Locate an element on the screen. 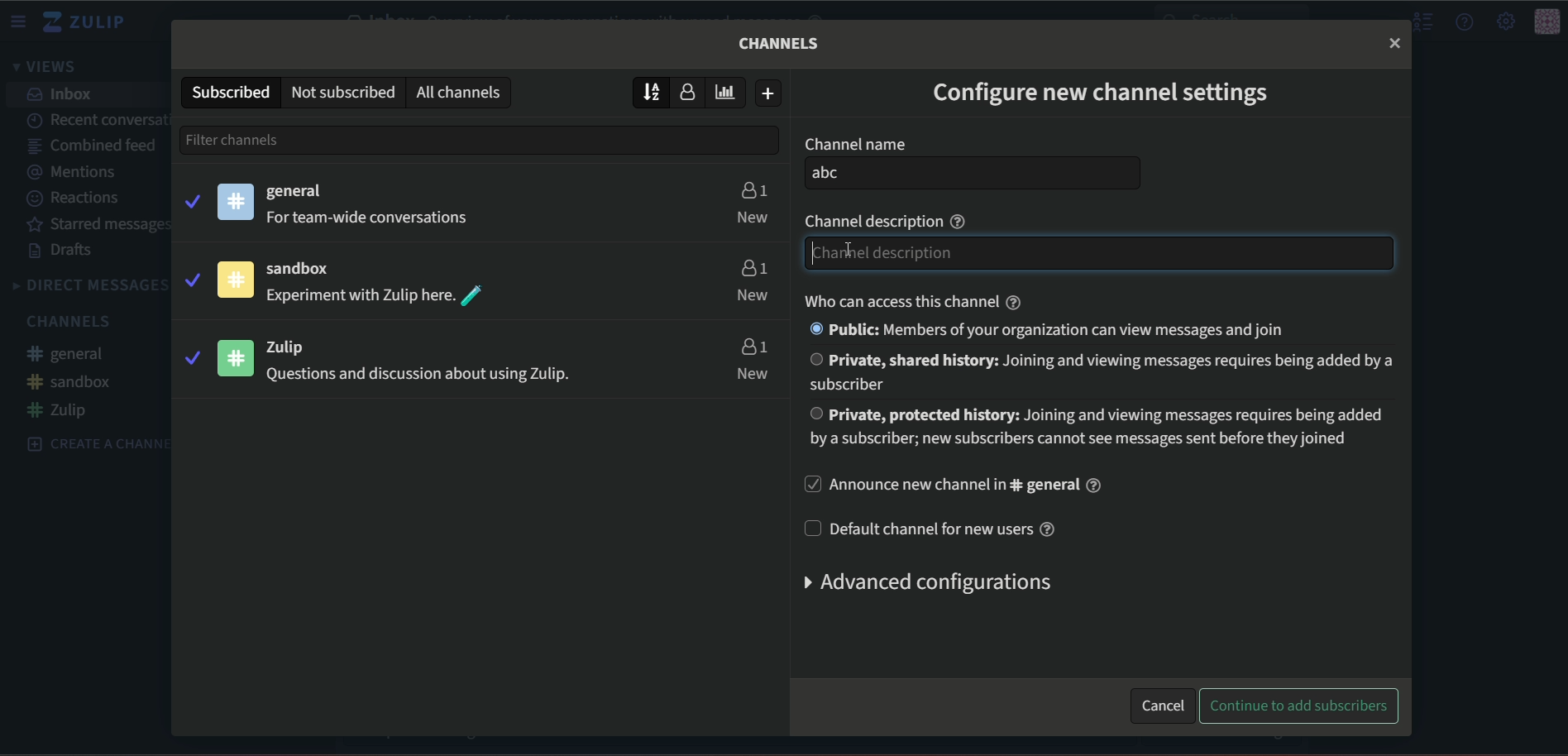 Image resolution: width=1568 pixels, height=756 pixels. tick is located at coordinates (190, 357).